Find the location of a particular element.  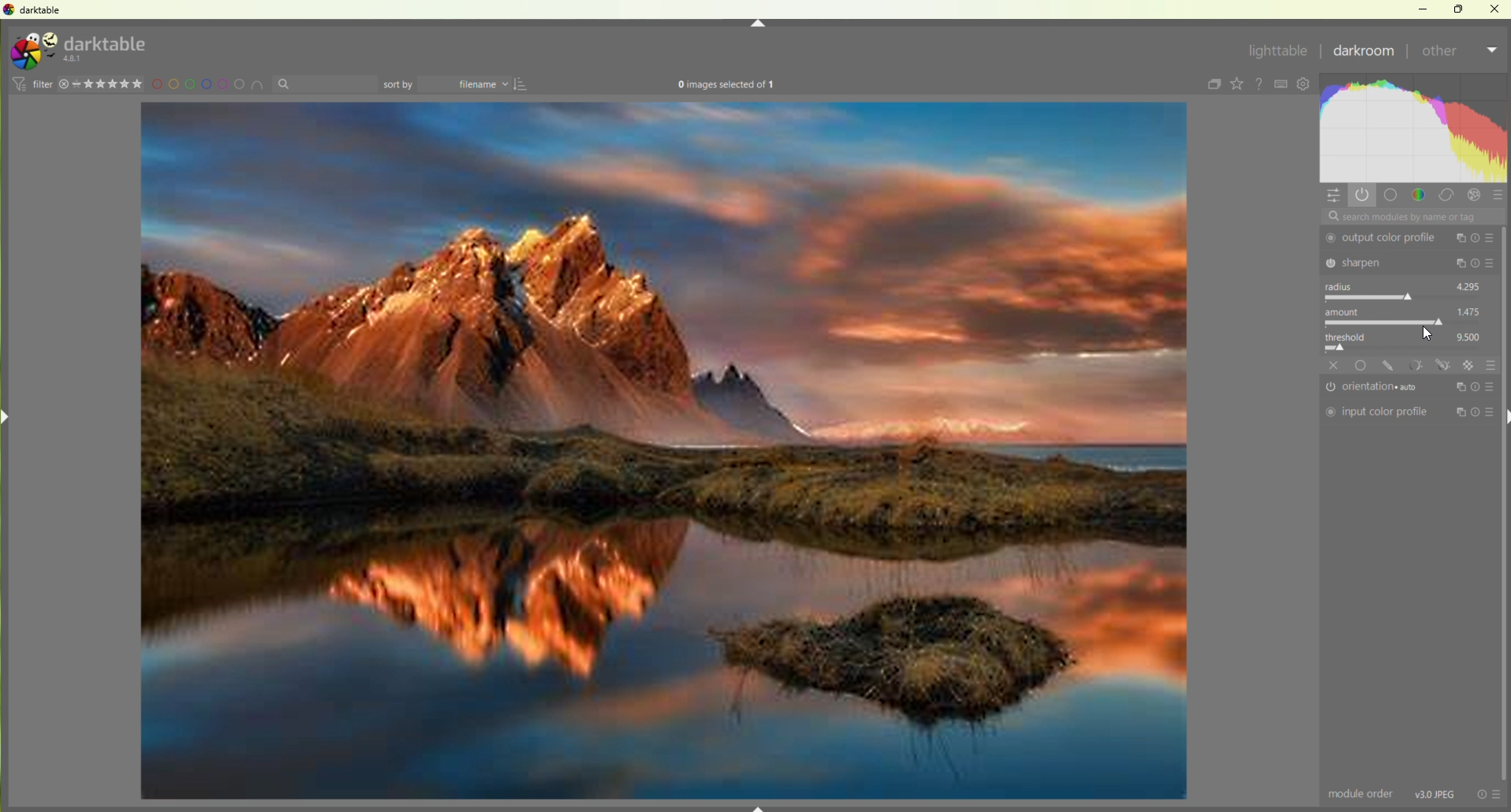

radius is located at coordinates (1343, 286).